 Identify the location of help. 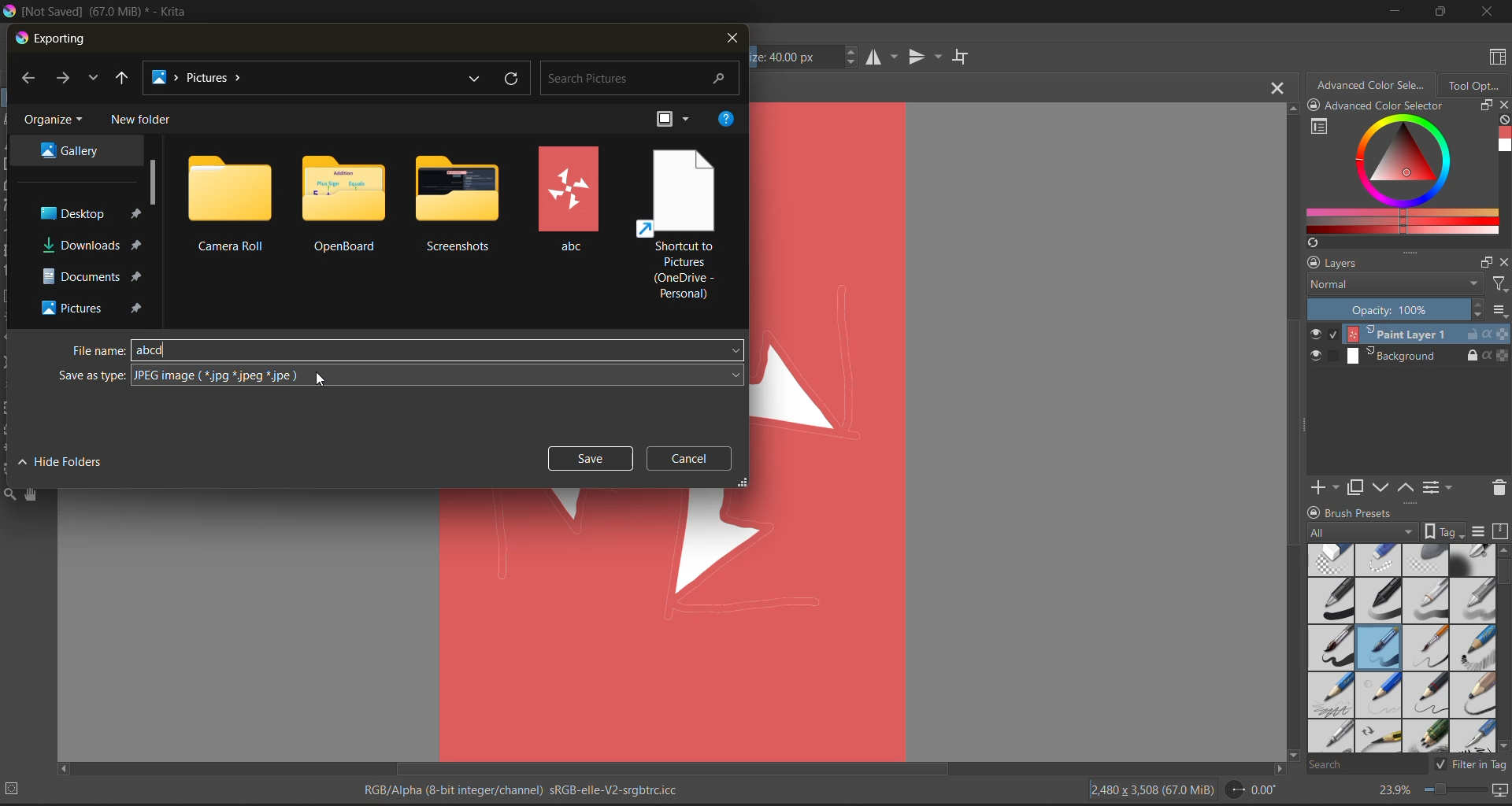
(726, 120).